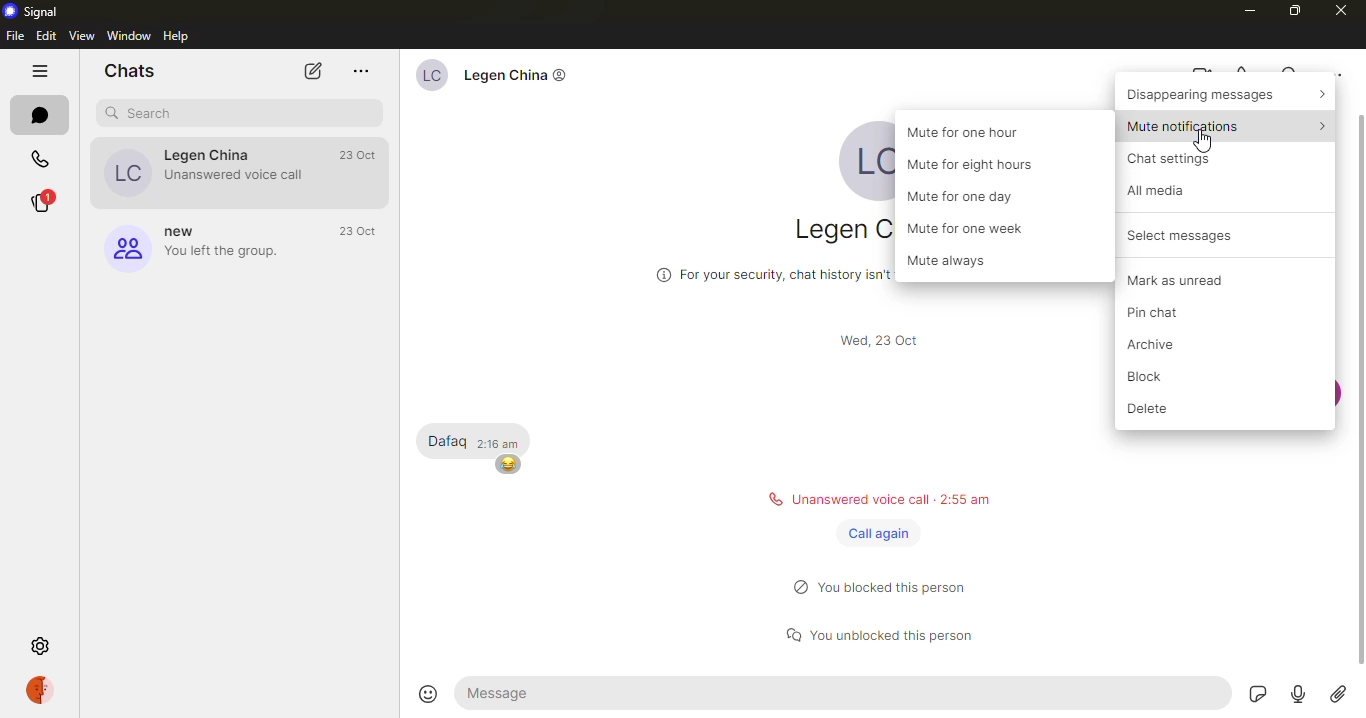 This screenshot has height=718, width=1366. What do you see at coordinates (877, 499) in the screenshot?
I see `status message` at bounding box center [877, 499].